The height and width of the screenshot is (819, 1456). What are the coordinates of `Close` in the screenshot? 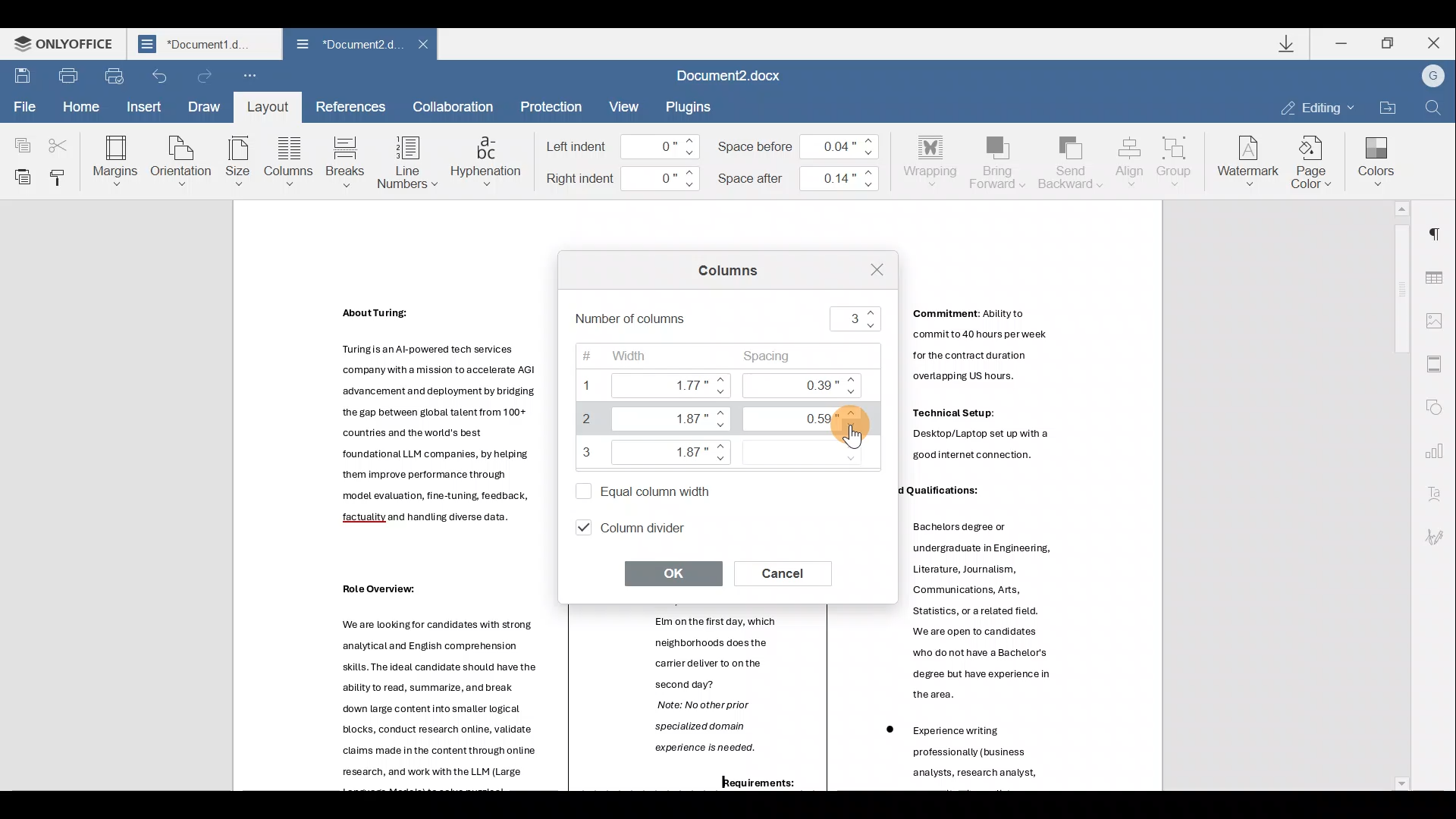 It's located at (1434, 42).